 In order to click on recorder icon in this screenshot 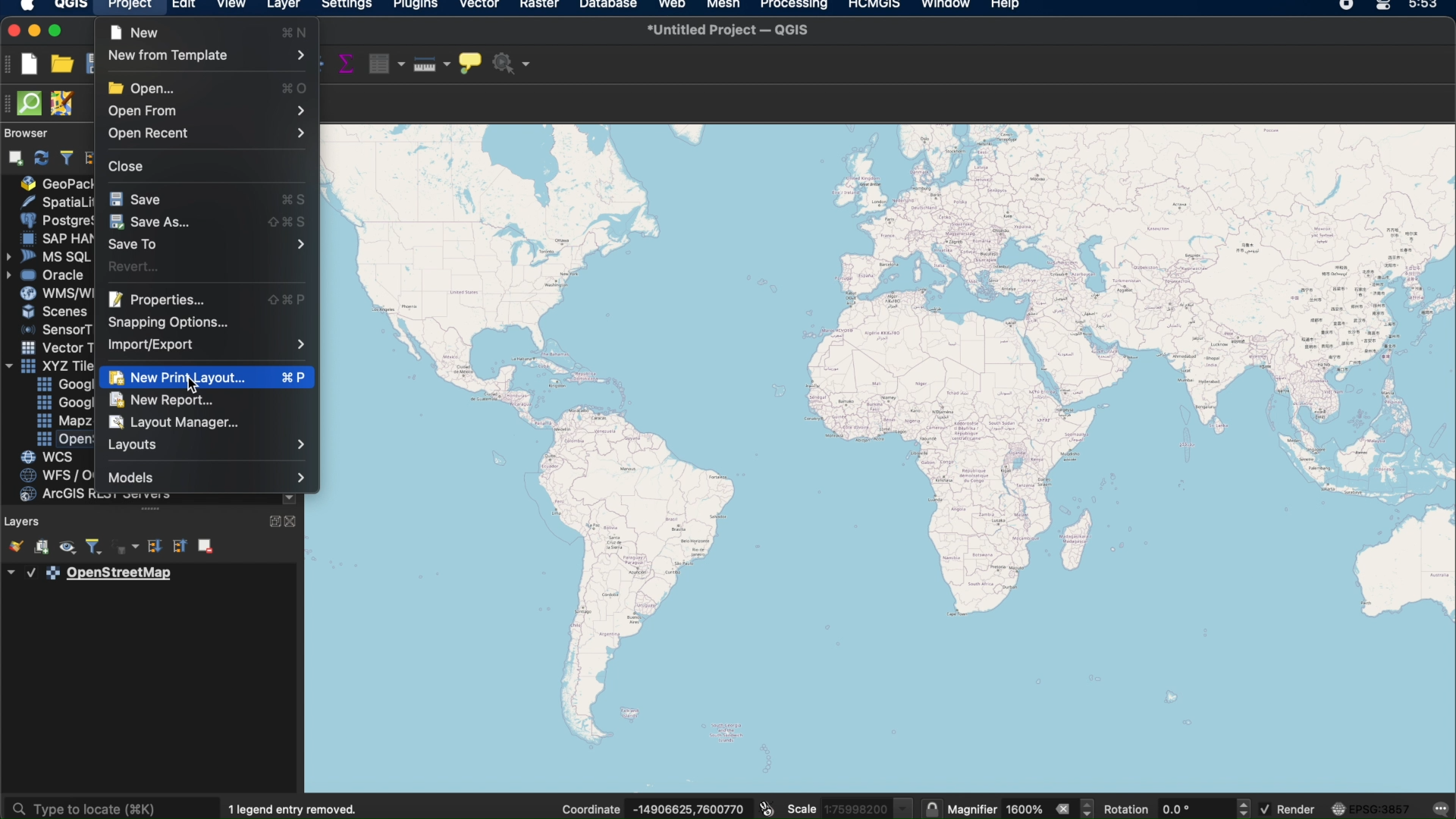, I will do `click(1341, 7)`.